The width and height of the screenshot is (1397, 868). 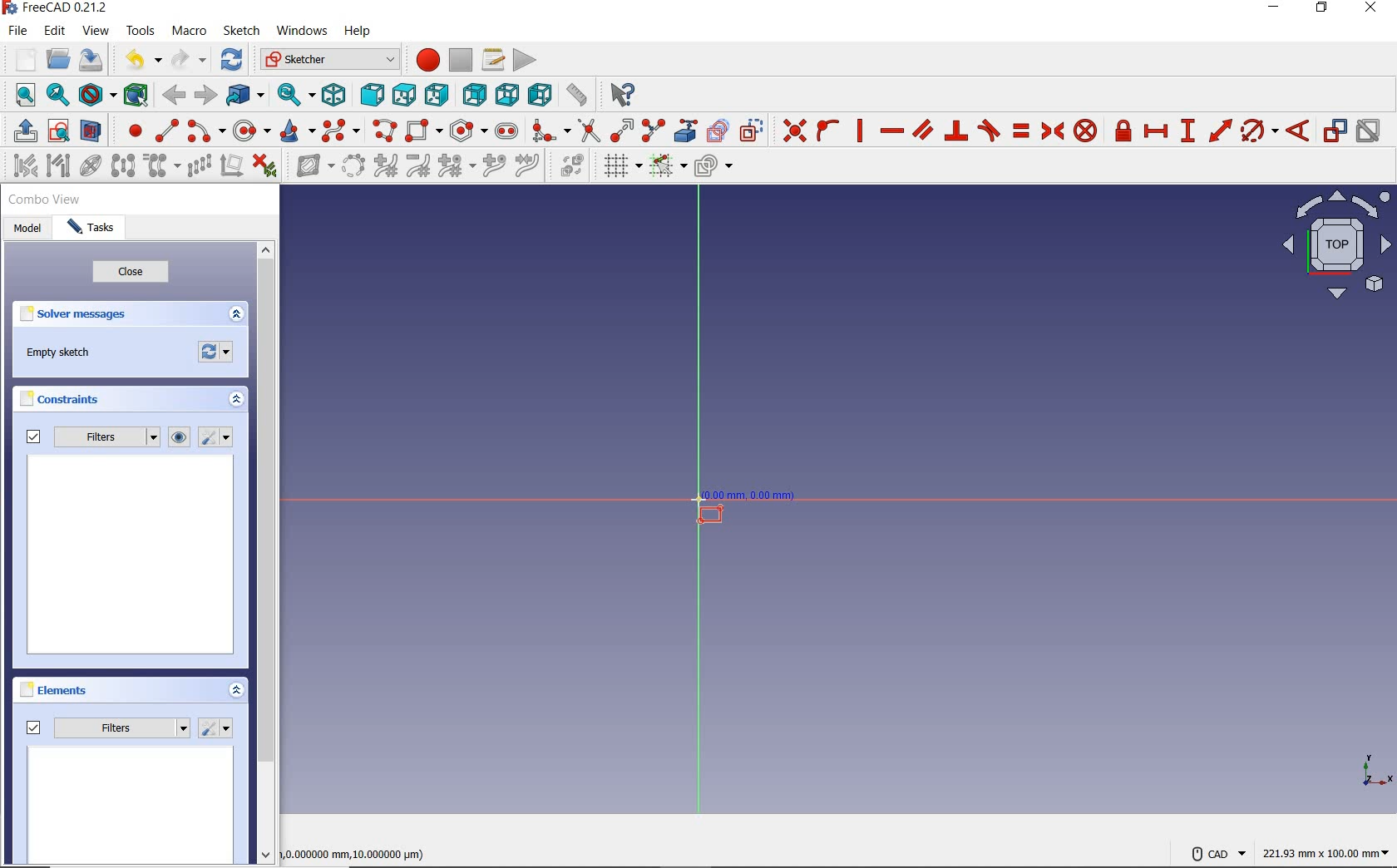 I want to click on trim edge, so click(x=588, y=131).